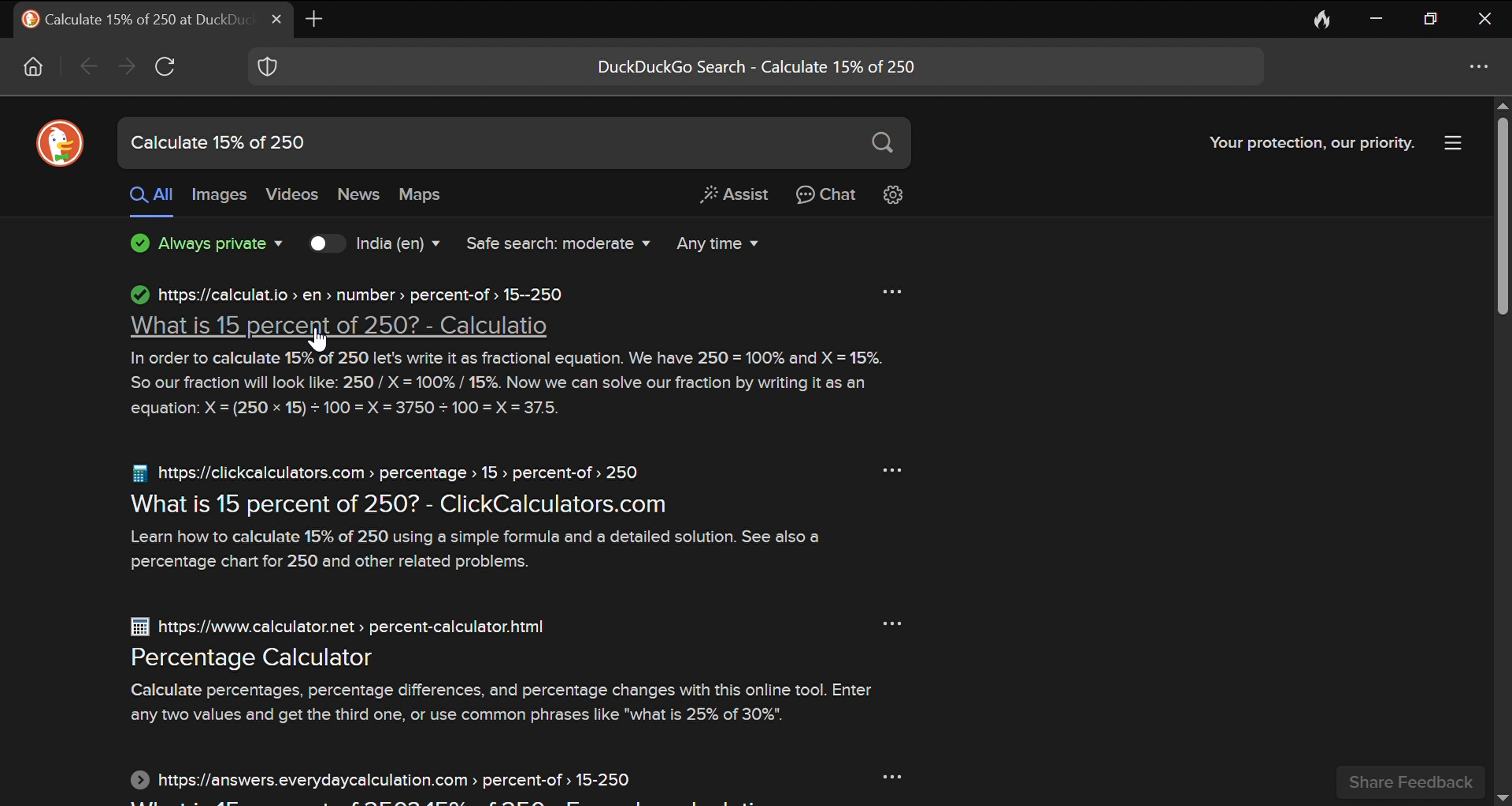  Describe the element at coordinates (734, 196) in the screenshot. I see `Generate short answer from the web` at that location.